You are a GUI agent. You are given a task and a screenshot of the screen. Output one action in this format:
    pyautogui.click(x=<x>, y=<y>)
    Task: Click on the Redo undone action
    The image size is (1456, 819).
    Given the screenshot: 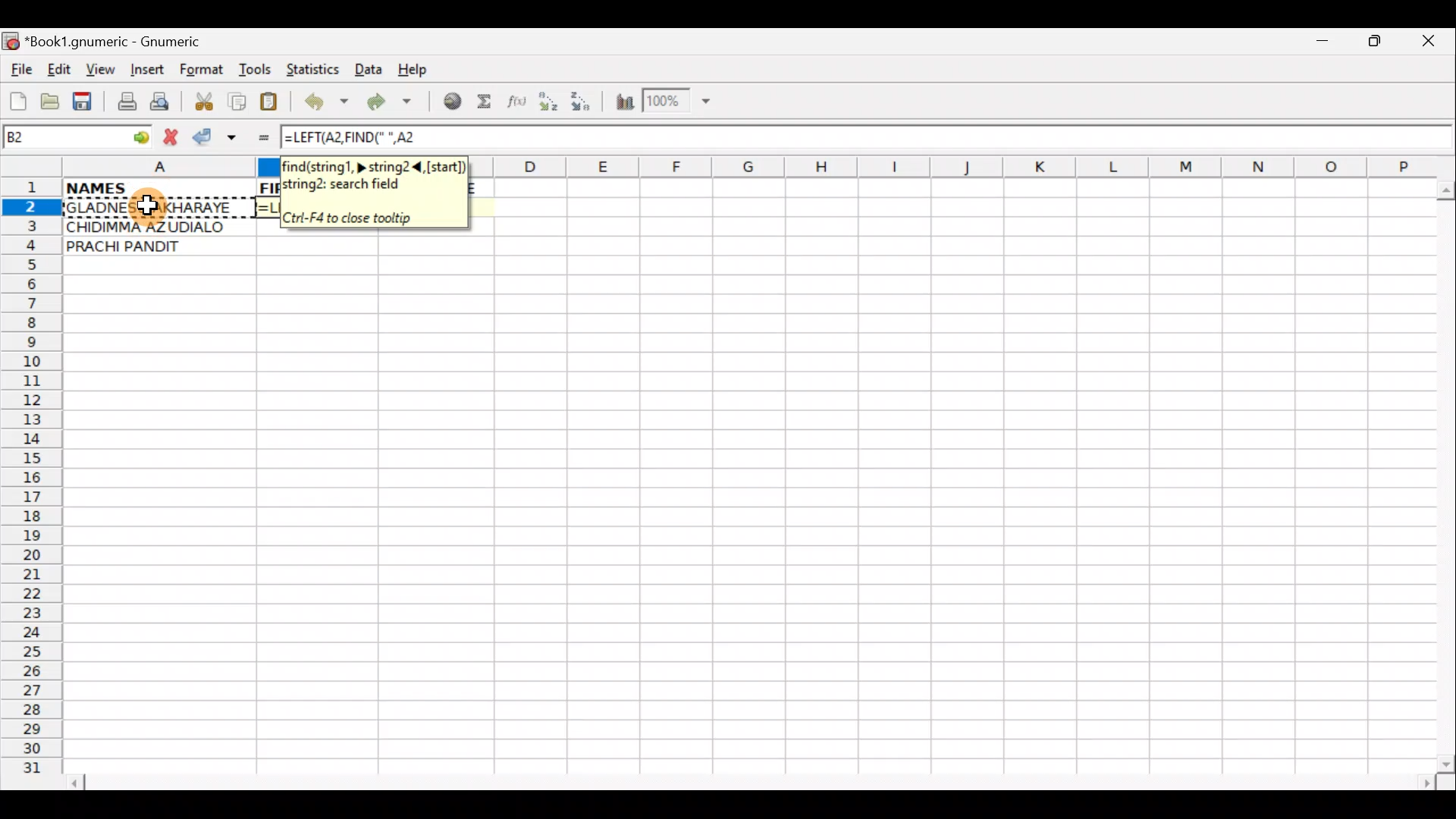 What is the action you would take?
    pyautogui.click(x=393, y=104)
    